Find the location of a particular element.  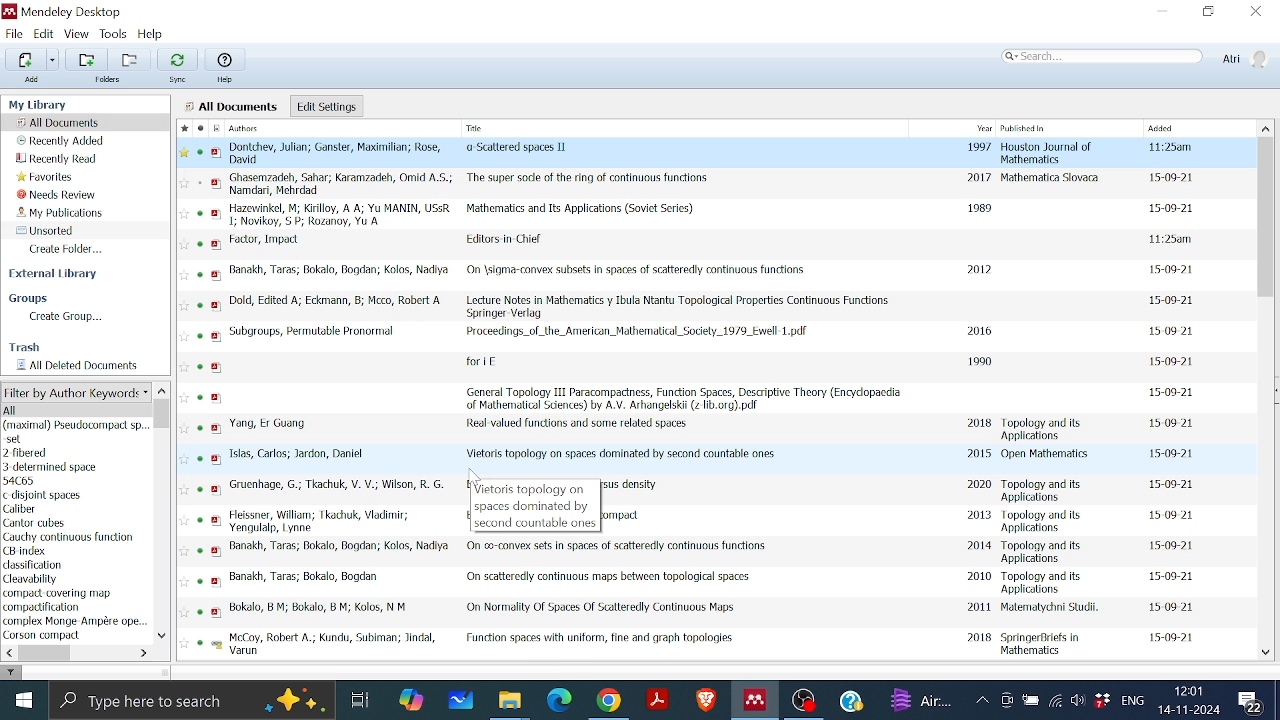

Mendeley is located at coordinates (757, 701).